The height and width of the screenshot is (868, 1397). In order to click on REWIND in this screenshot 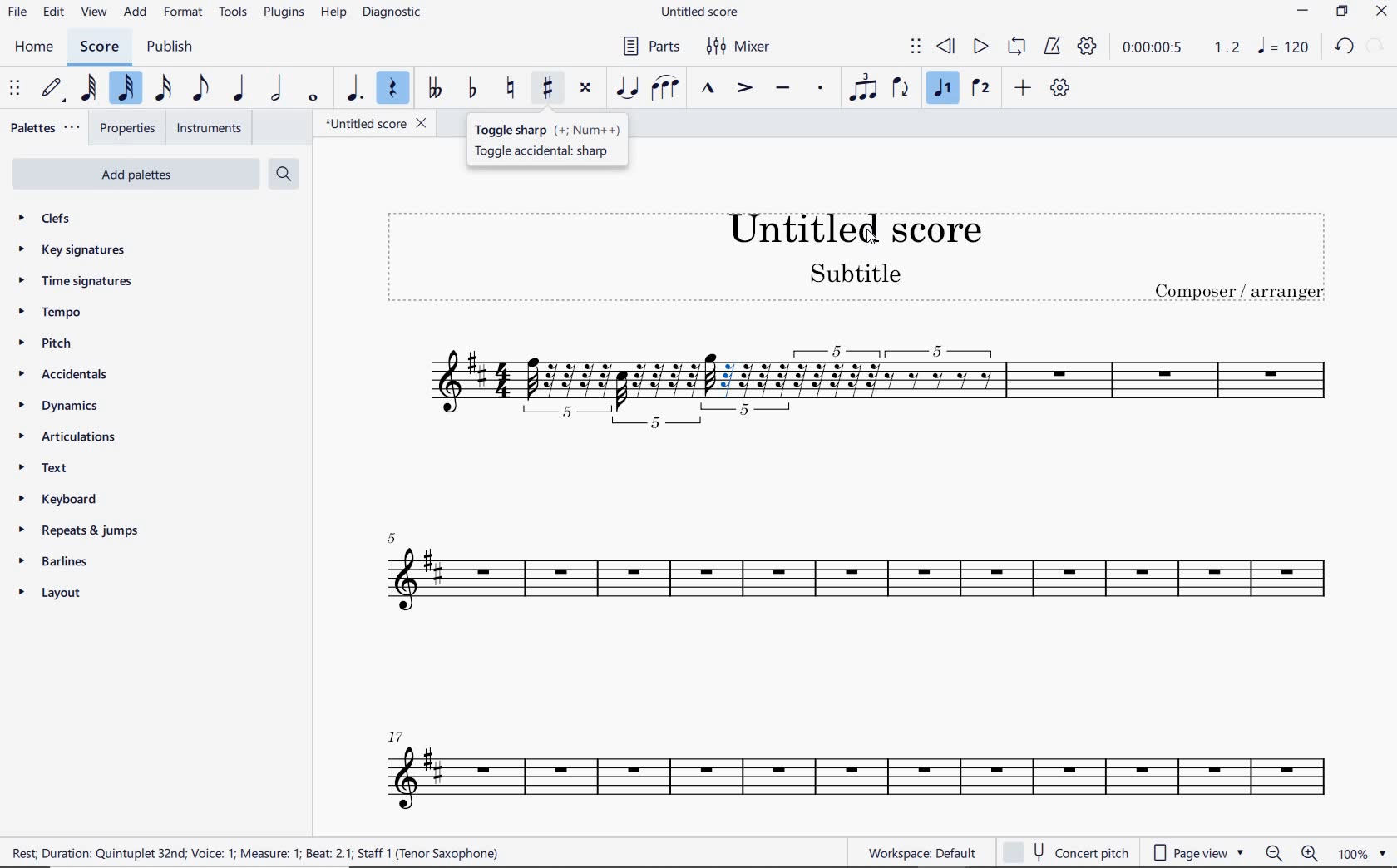, I will do `click(949, 46)`.